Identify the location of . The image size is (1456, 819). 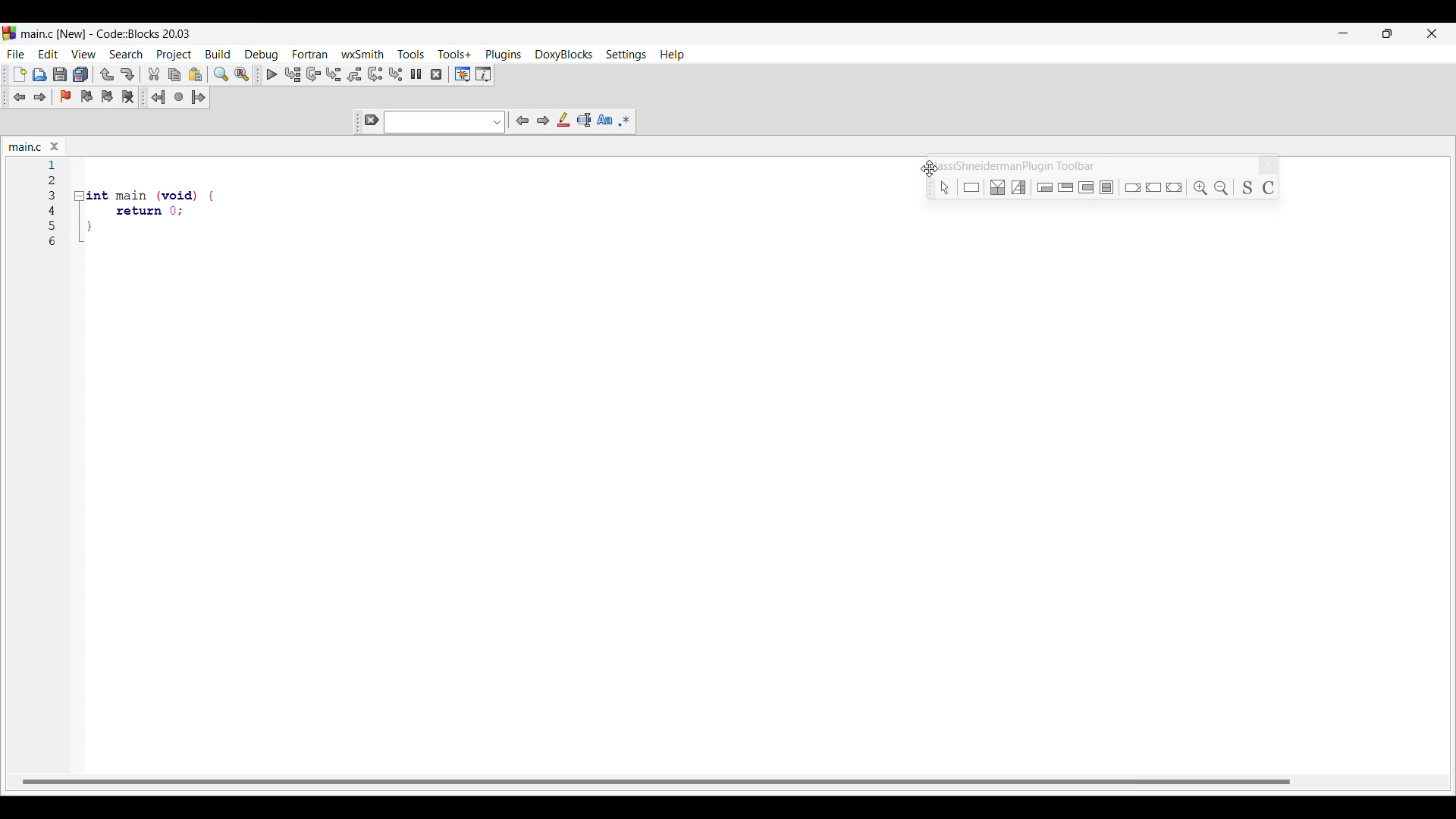
(1131, 186).